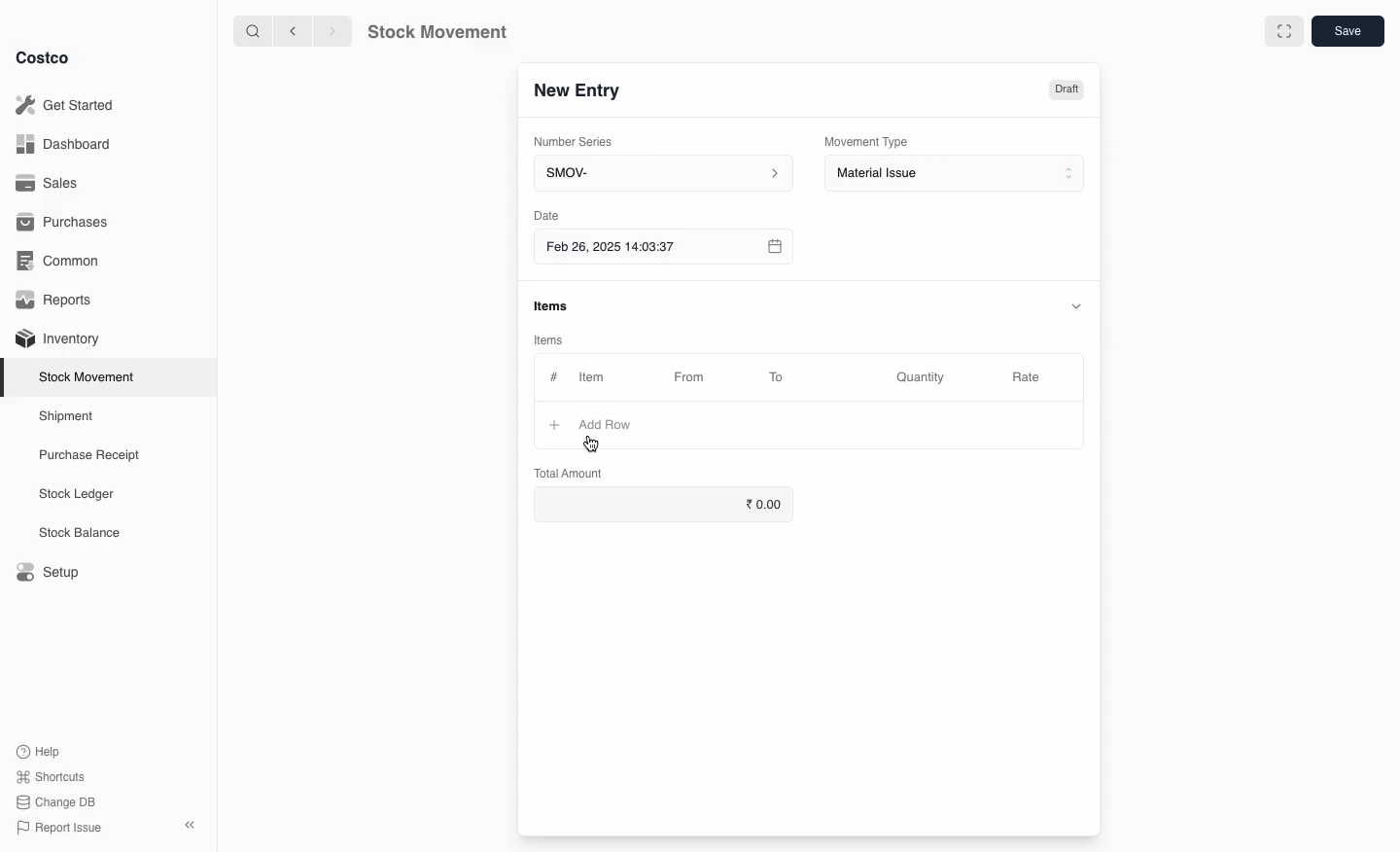 The image size is (1400, 852). What do you see at coordinates (63, 263) in the screenshot?
I see `Common` at bounding box center [63, 263].